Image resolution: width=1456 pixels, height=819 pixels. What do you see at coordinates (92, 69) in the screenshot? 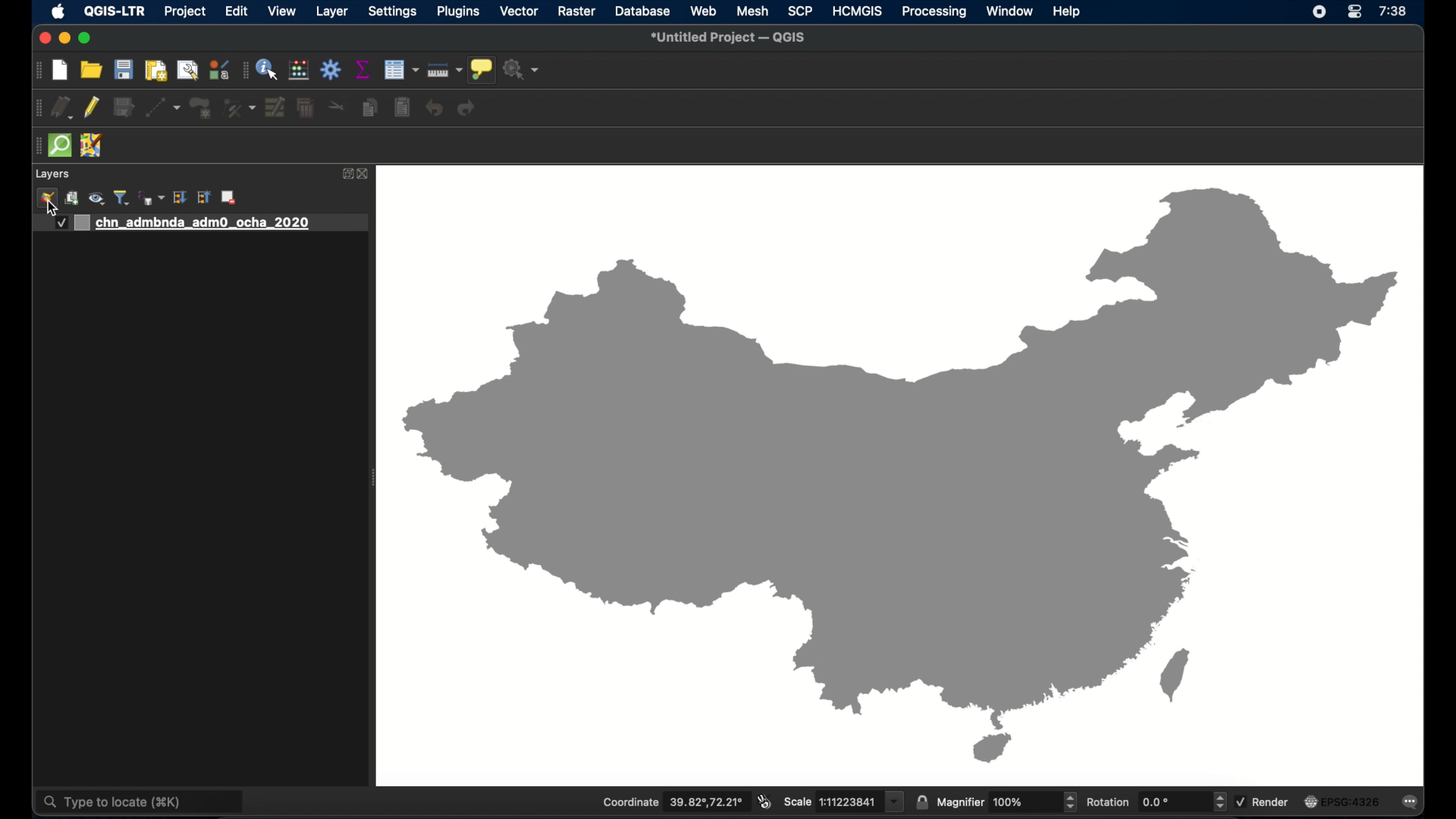
I see `open` at bounding box center [92, 69].